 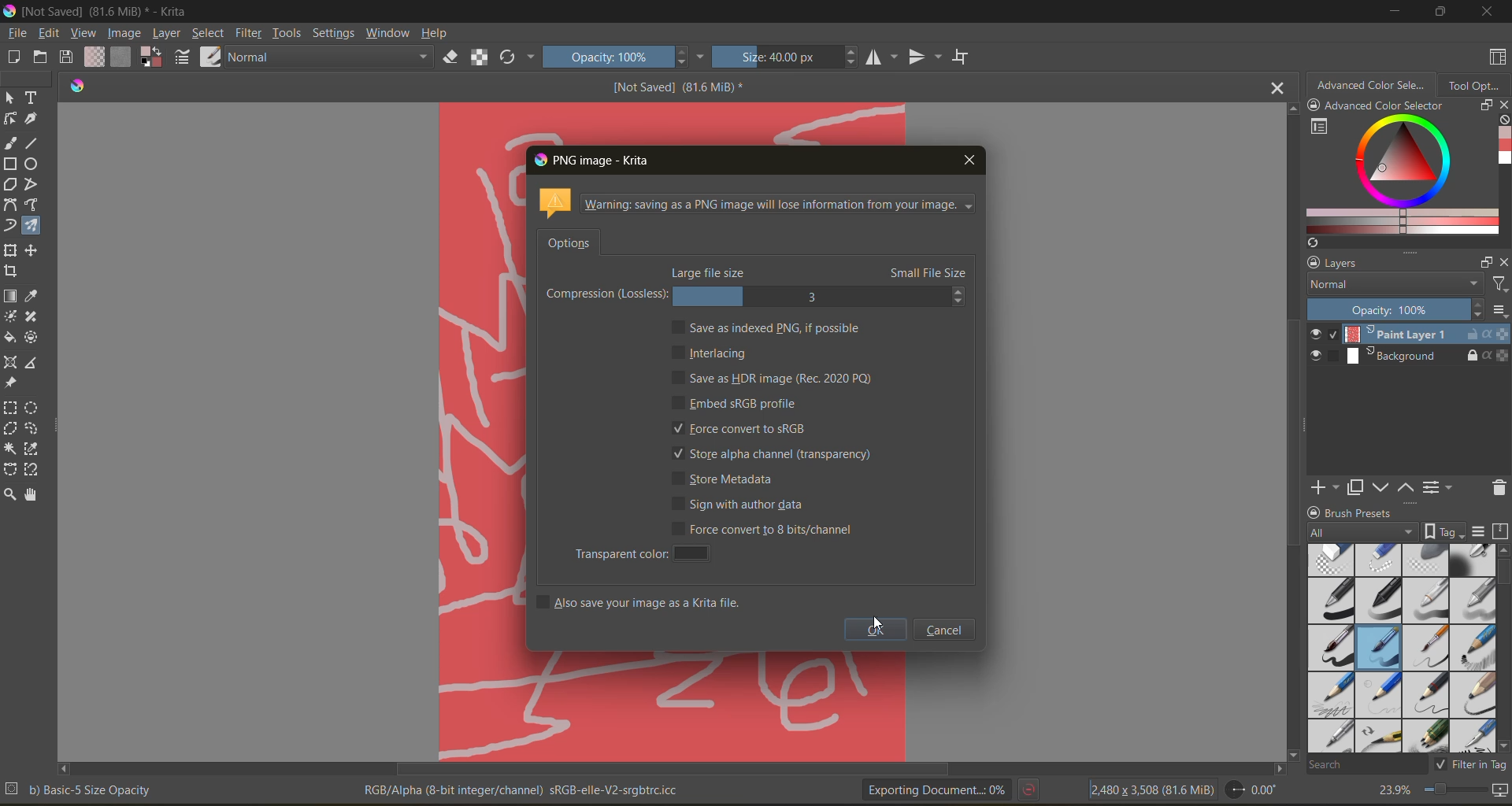 What do you see at coordinates (9, 338) in the screenshot?
I see `tool` at bounding box center [9, 338].